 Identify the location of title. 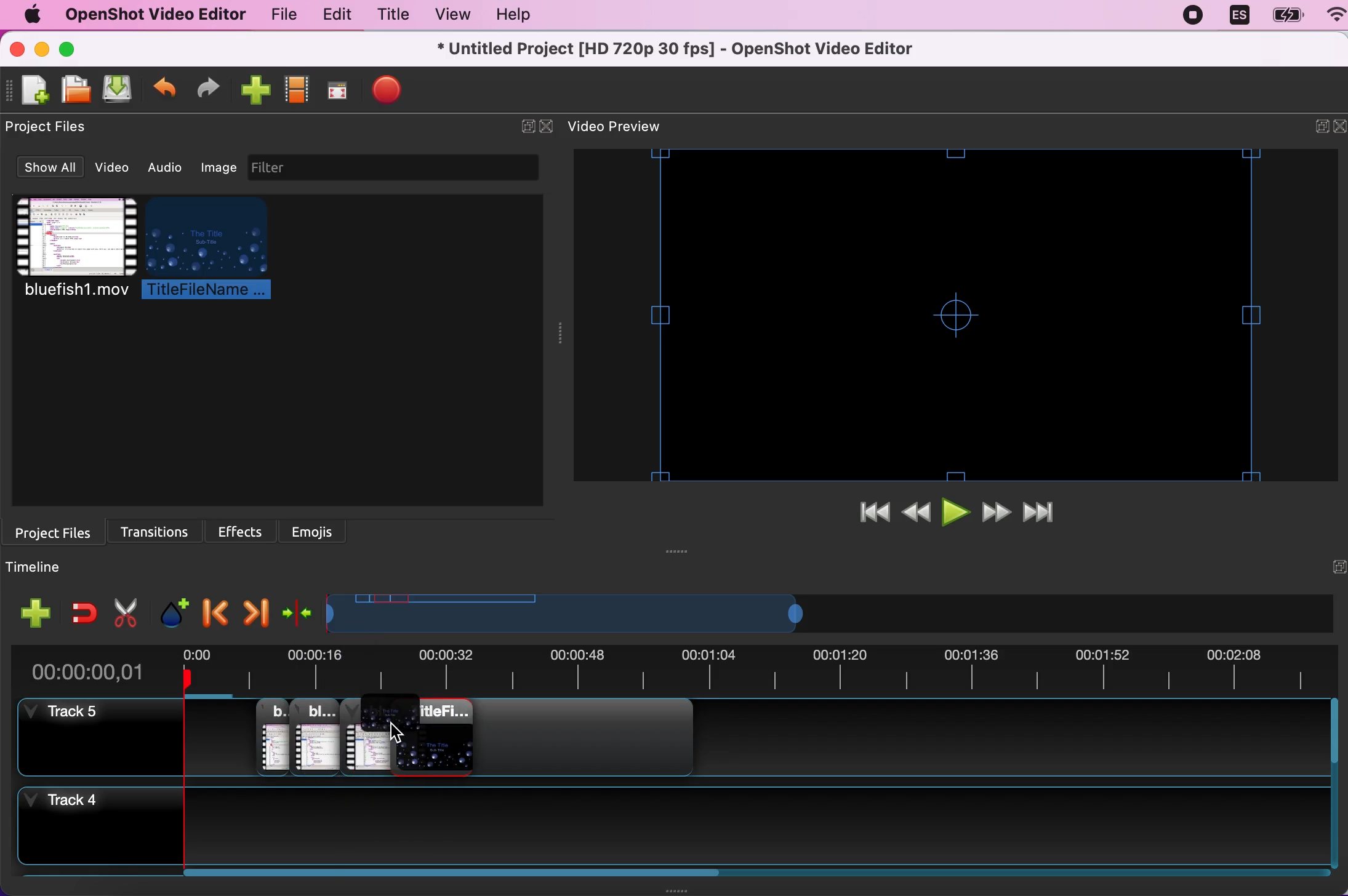
(390, 17).